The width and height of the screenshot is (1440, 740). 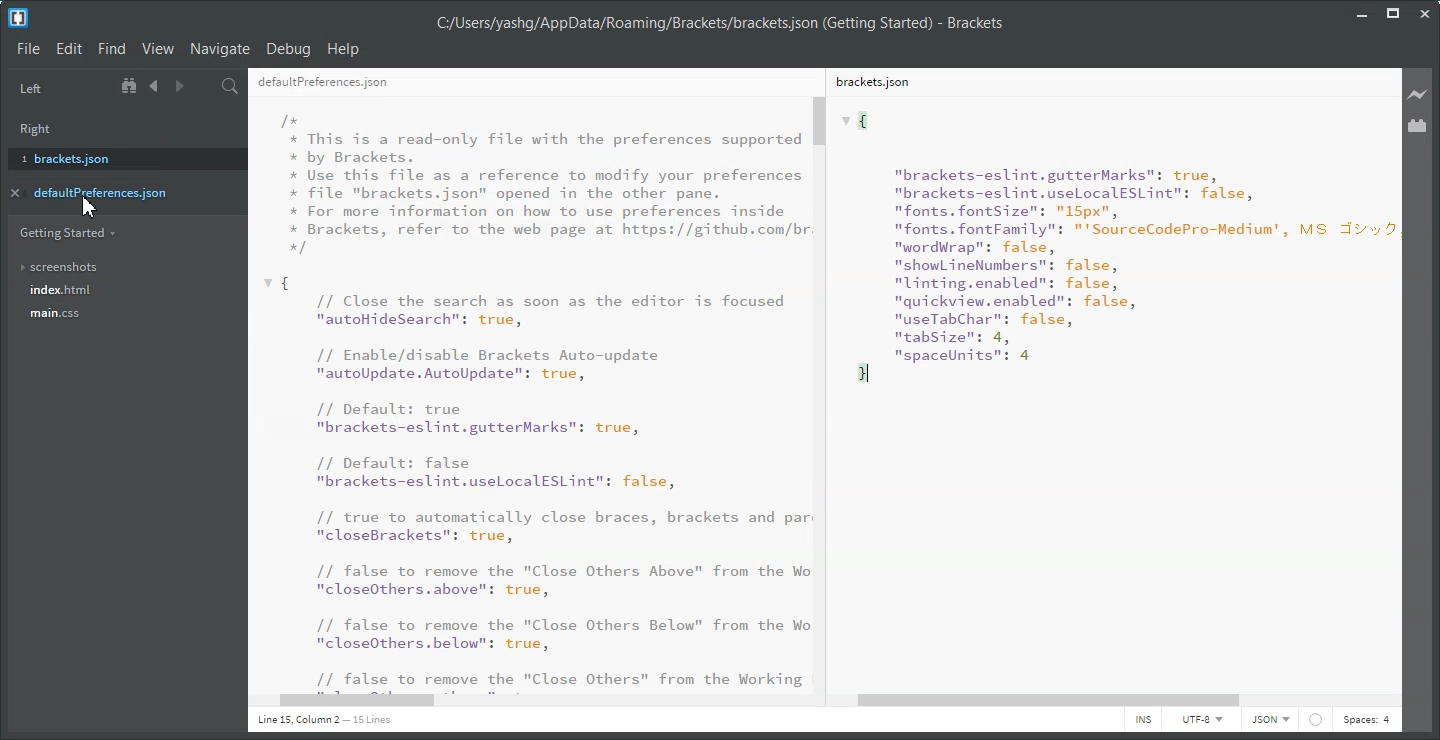 I want to click on Logo, so click(x=18, y=18).